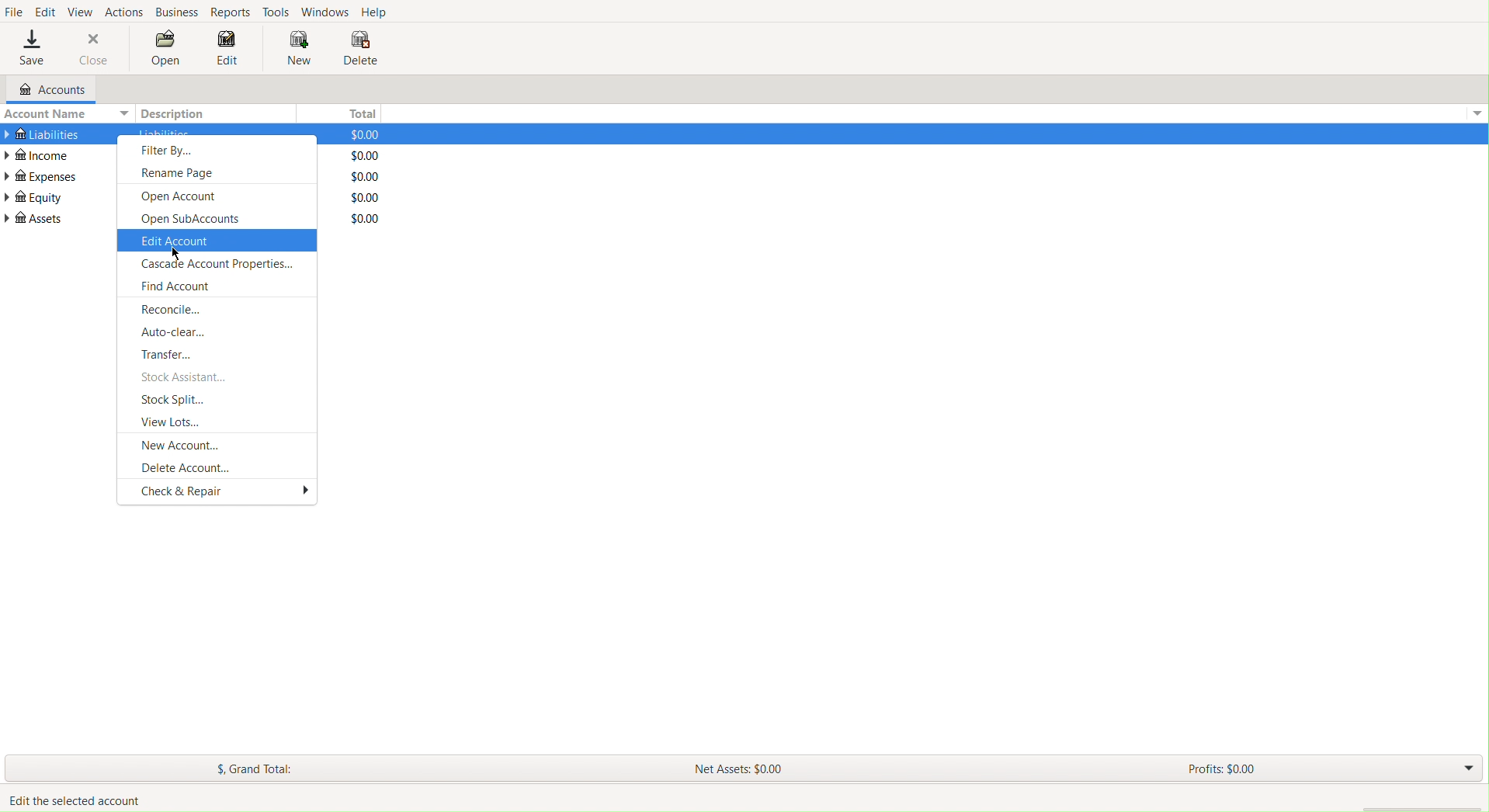 The height and width of the screenshot is (812, 1489). What do you see at coordinates (325, 11) in the screenshot?
I see `Windows` at bounding box center [325, 11].